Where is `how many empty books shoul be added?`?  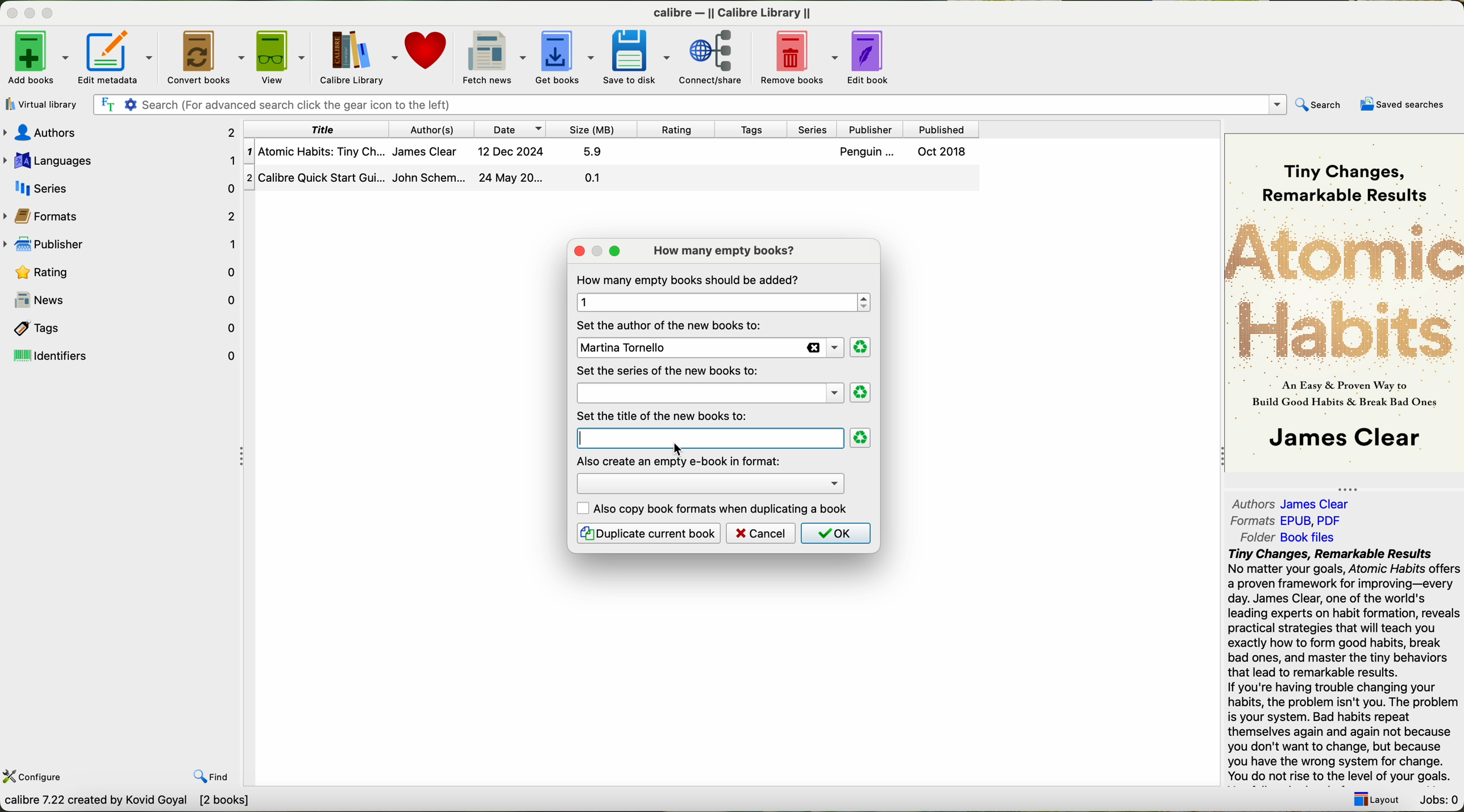
how many empty books shoul be added? is located at coordinates (690, 280).